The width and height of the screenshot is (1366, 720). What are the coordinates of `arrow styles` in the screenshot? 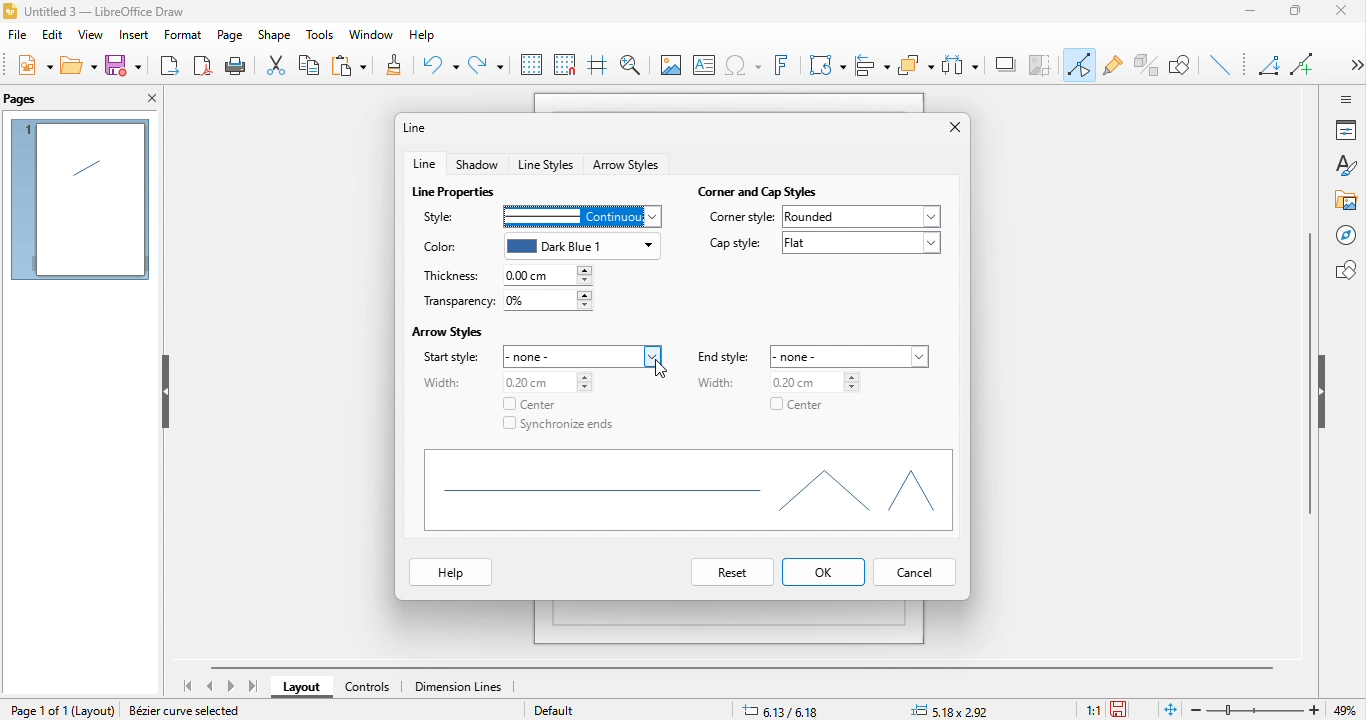 It's located at (452, 330).